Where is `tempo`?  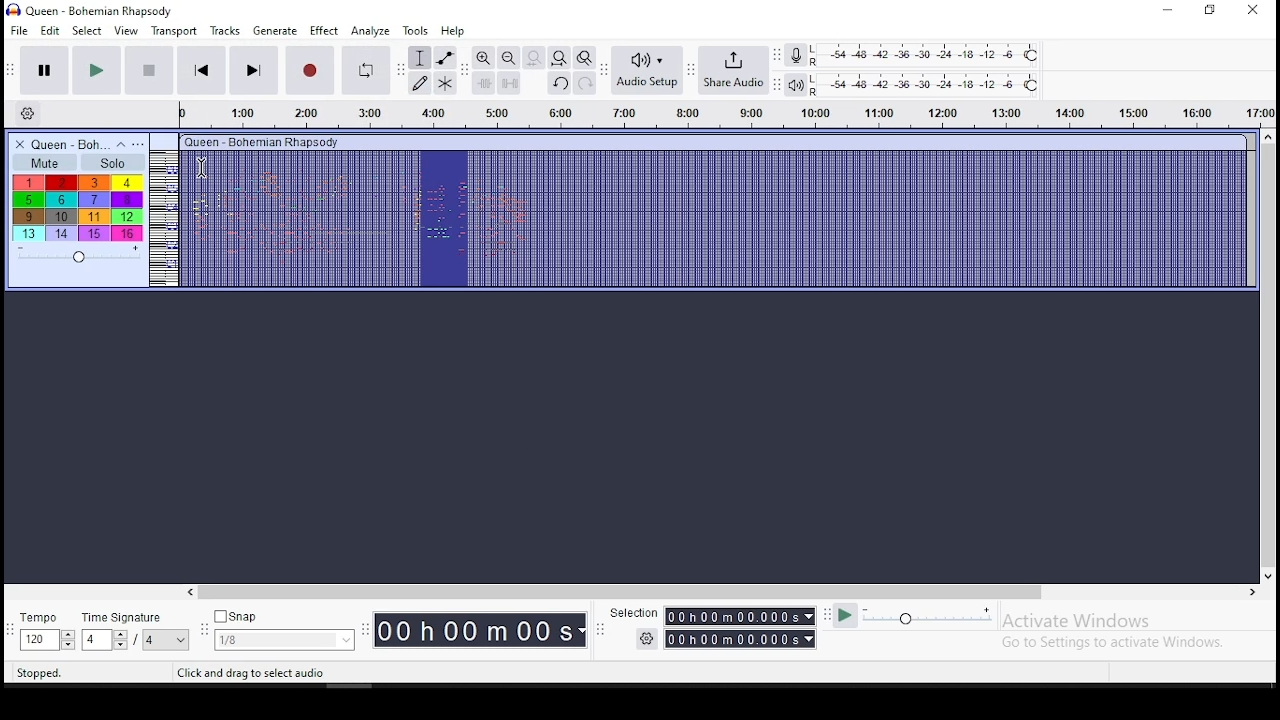 tempo is located at coordinates (47, 632).